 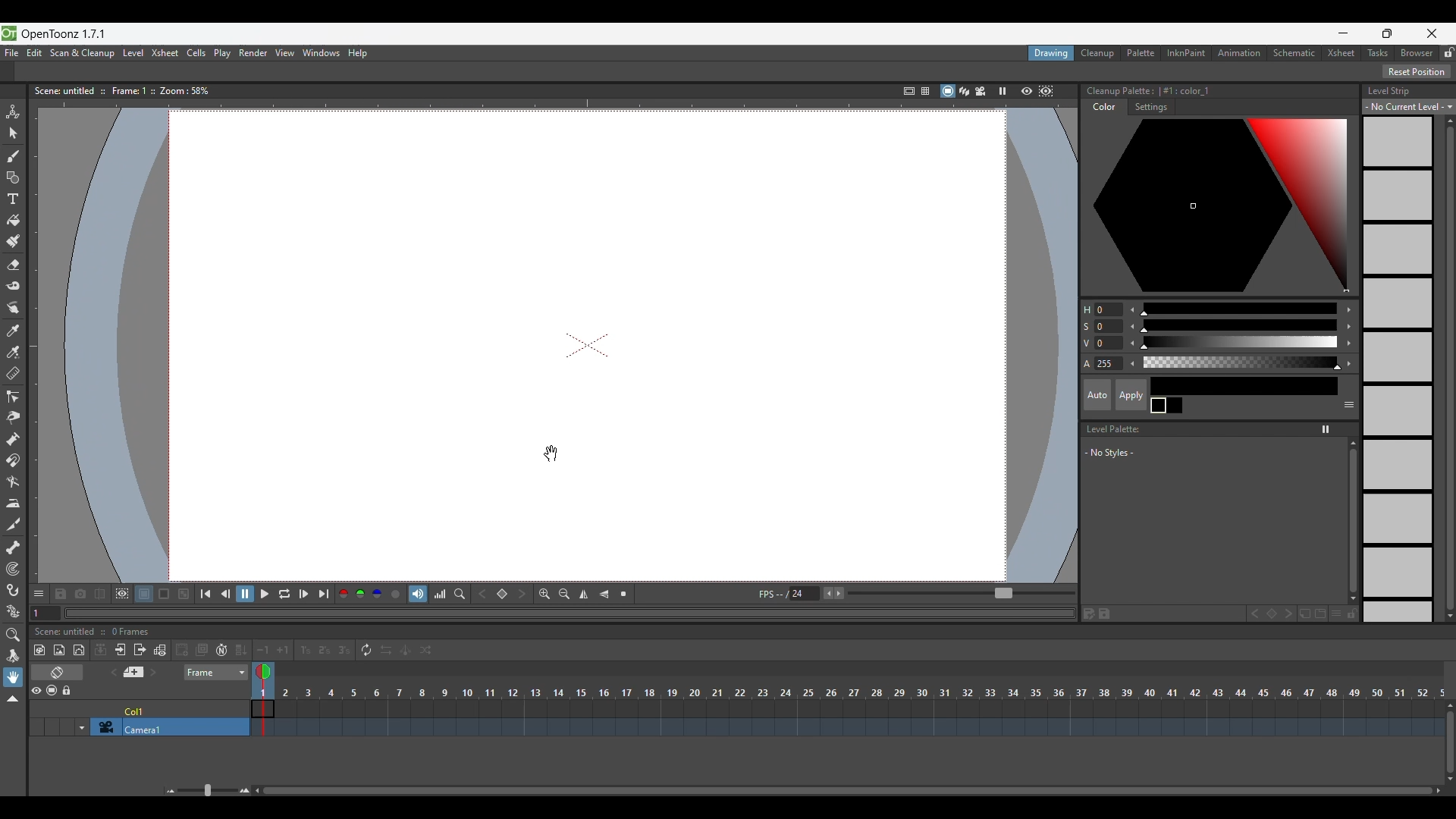 I want to click on Tasks, so click(x=1378, y=53).